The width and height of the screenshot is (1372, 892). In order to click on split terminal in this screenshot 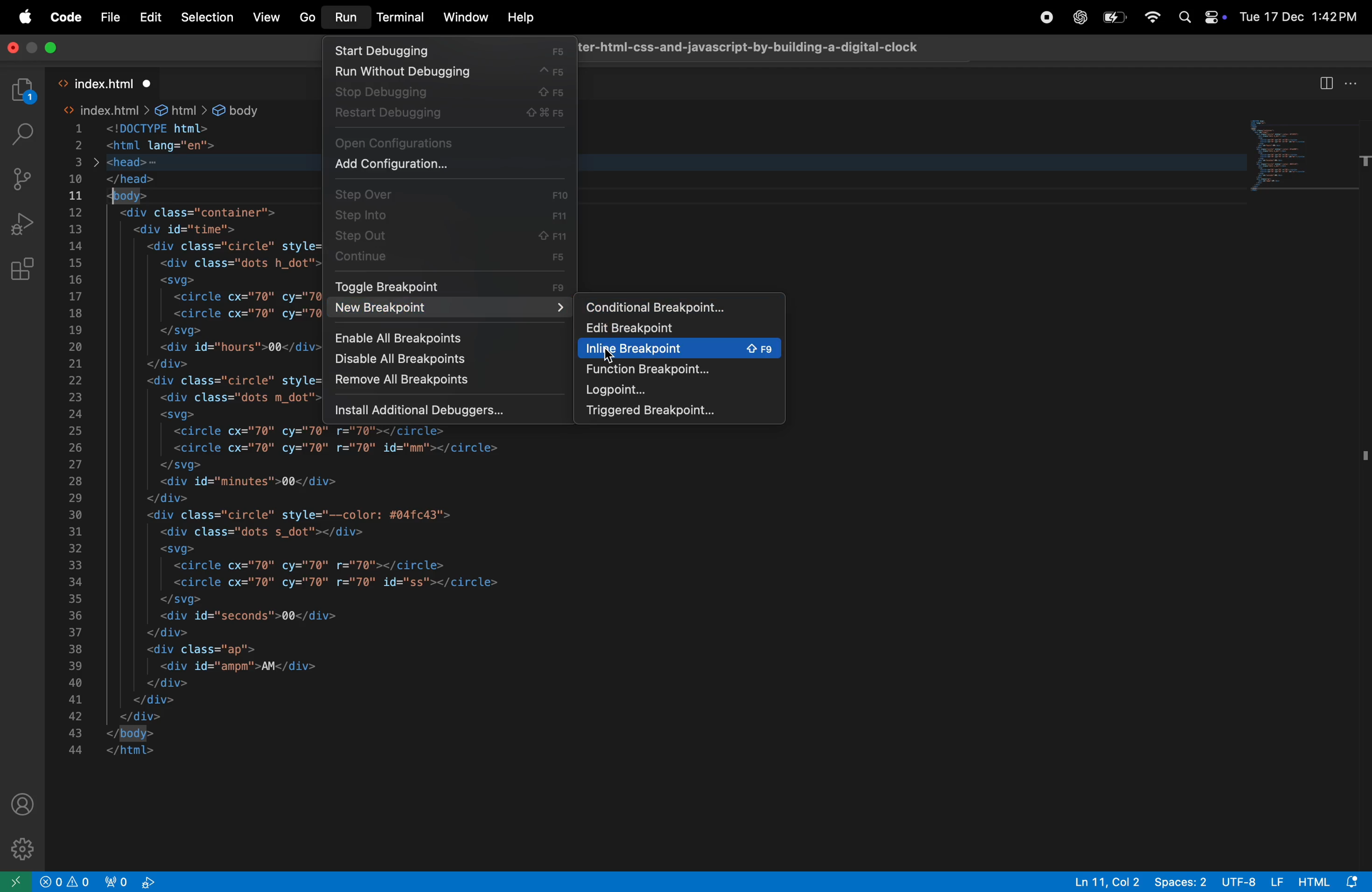, I will do `click(1326, 82)`.